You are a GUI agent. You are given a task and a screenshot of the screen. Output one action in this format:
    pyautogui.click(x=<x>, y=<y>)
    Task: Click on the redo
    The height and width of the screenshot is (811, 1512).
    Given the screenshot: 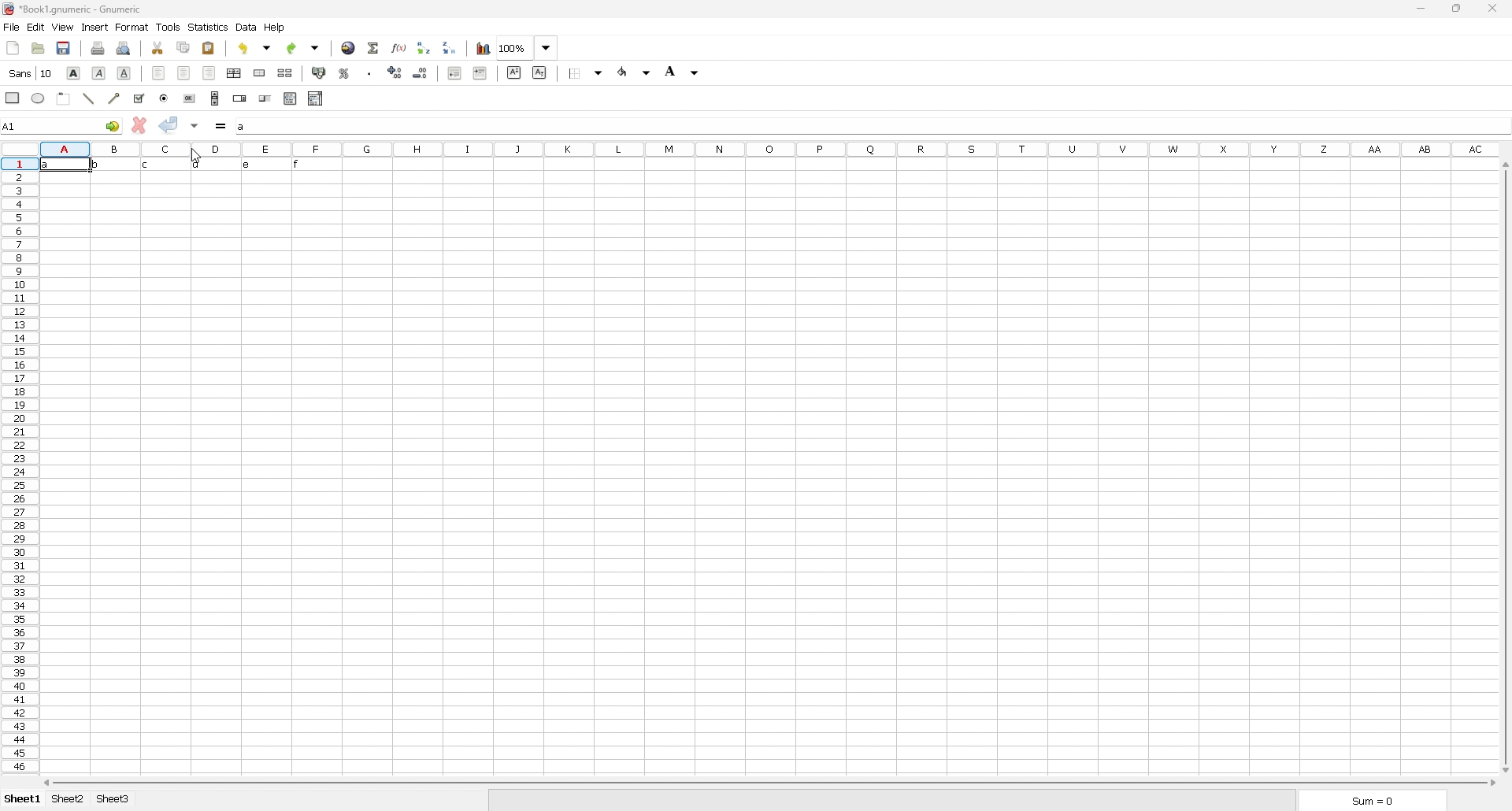 What is the action you would take?
    pyautogui.click(x=305, y=48)
    